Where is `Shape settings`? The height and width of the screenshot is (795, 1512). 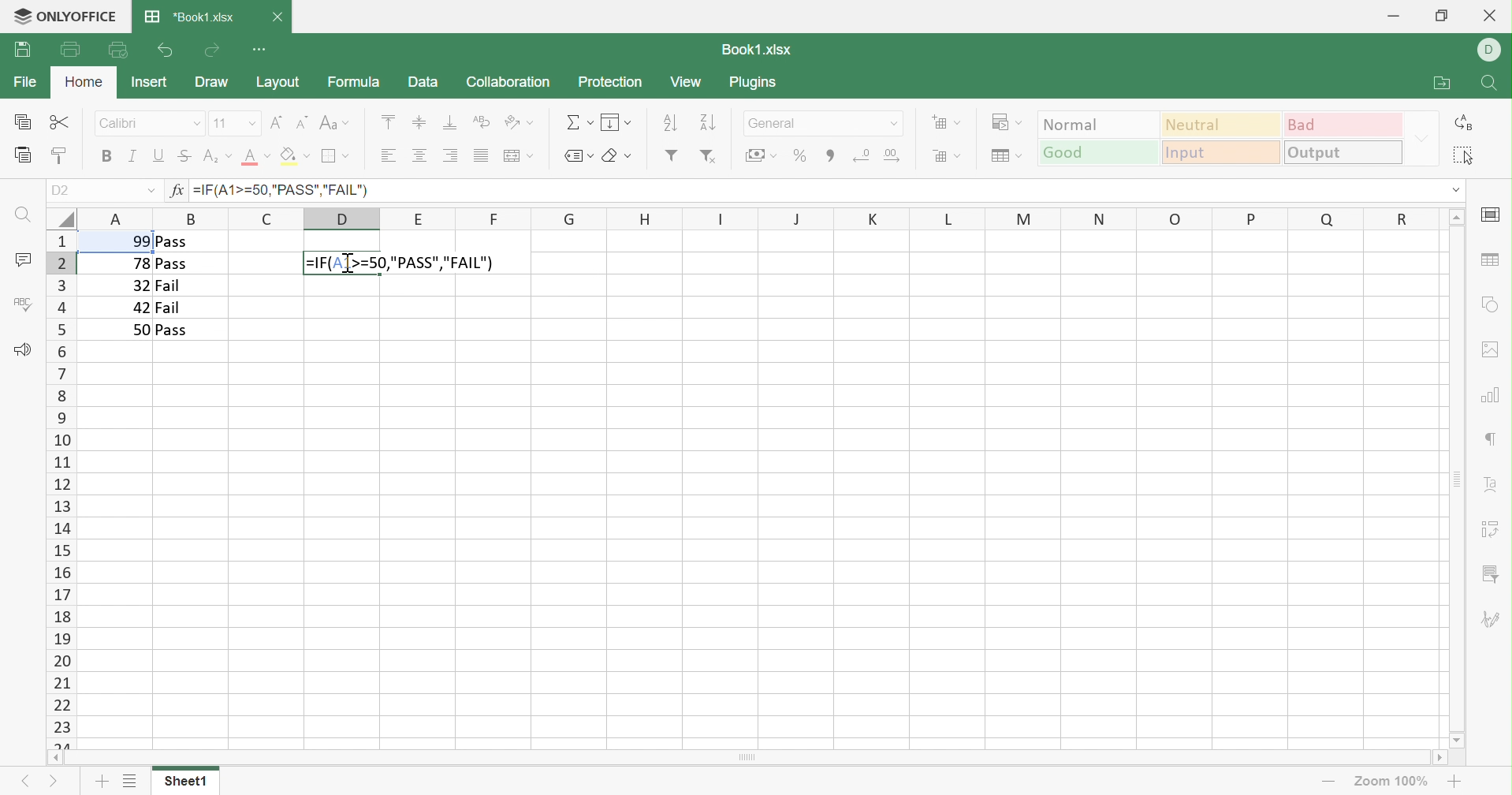 Shape settings is located at coordinates (1491, 304).